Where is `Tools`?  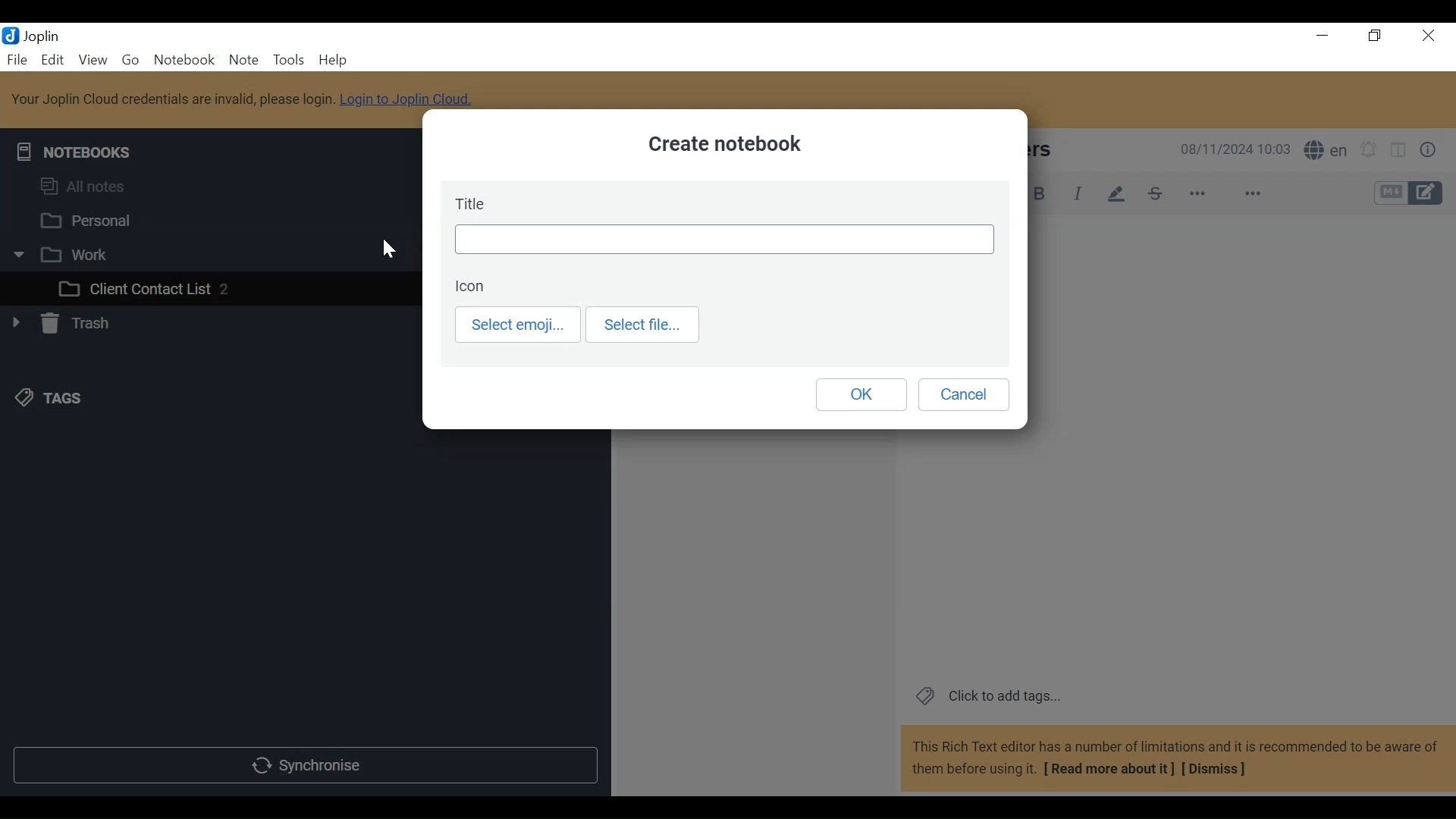 Tools is located at coordinates (287, 61).